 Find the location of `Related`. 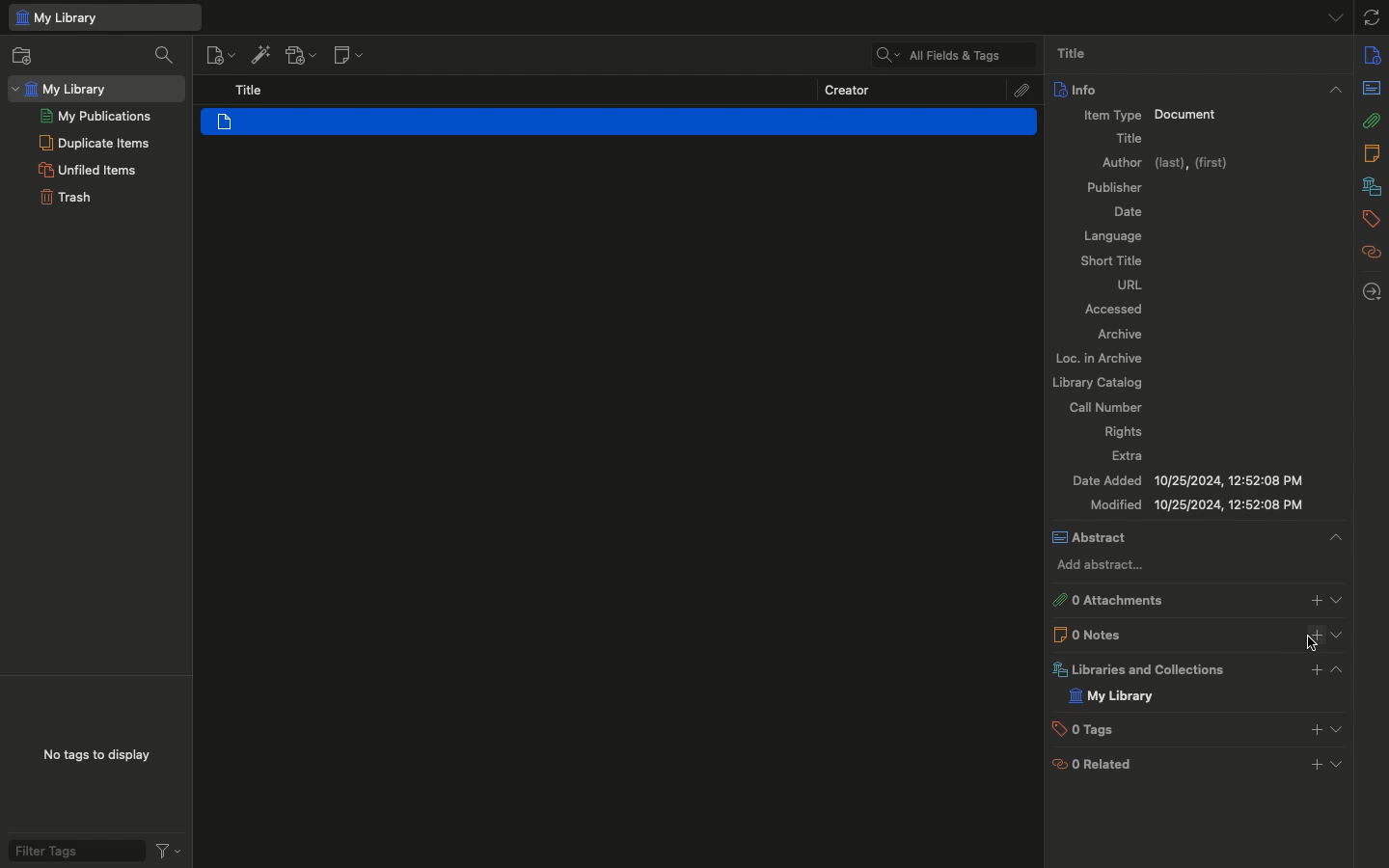

Related is located at coordinates (1373, 254).